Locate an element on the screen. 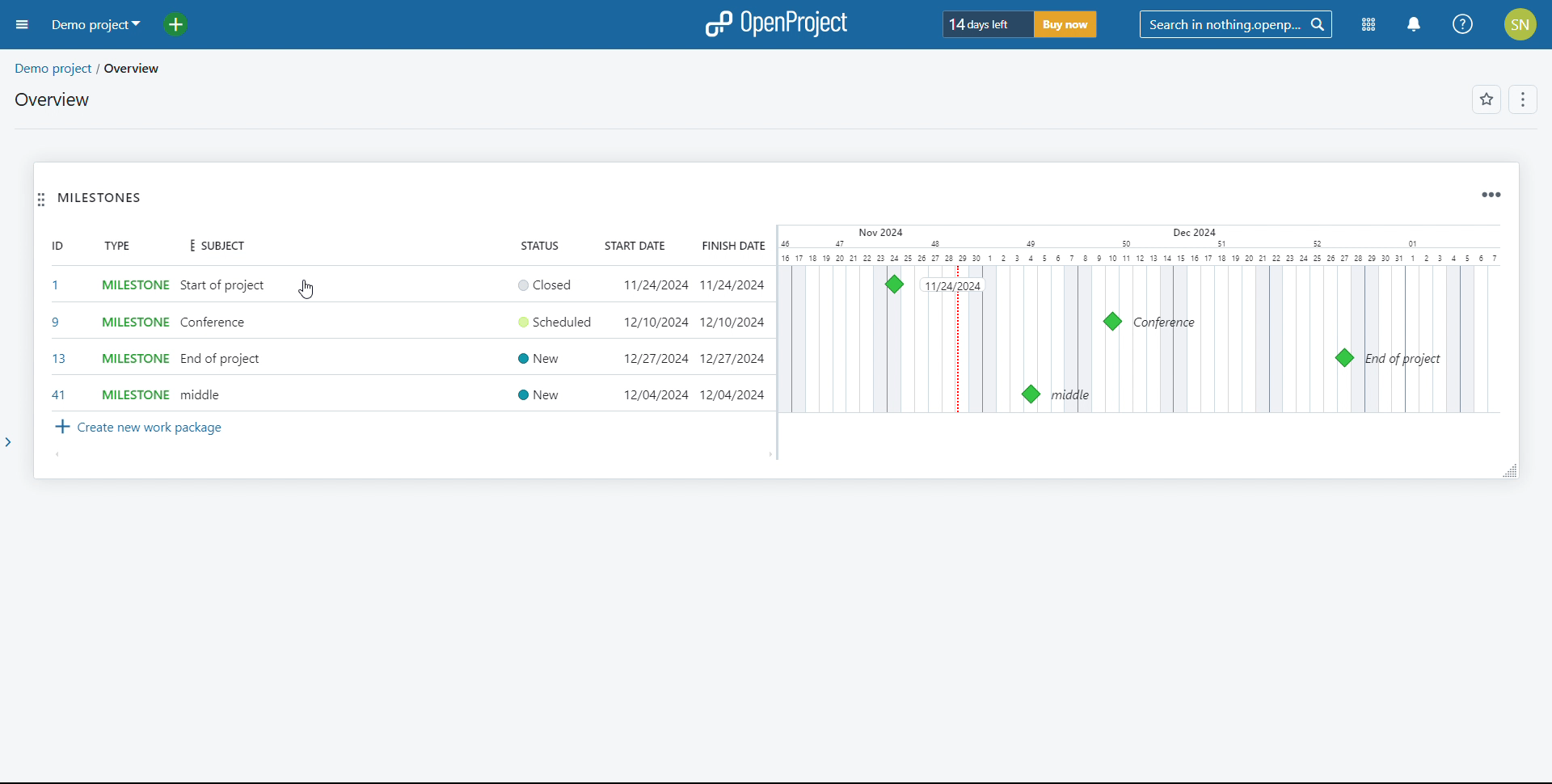 Image resolution: width=1552 pixels, height=784 pixels. notifications is located at coordinates (1415, 24).